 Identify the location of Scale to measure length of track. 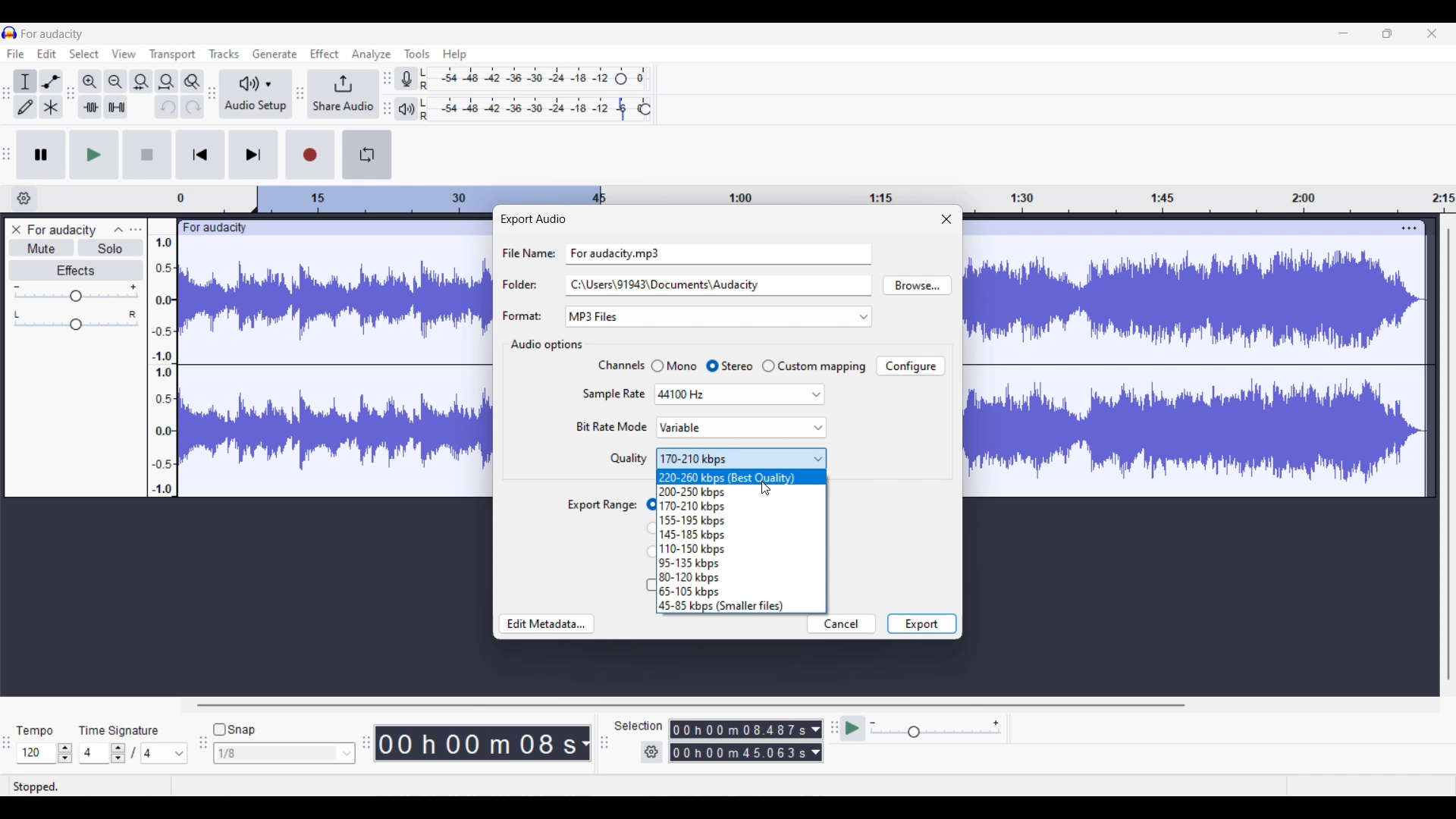
(815, 193).